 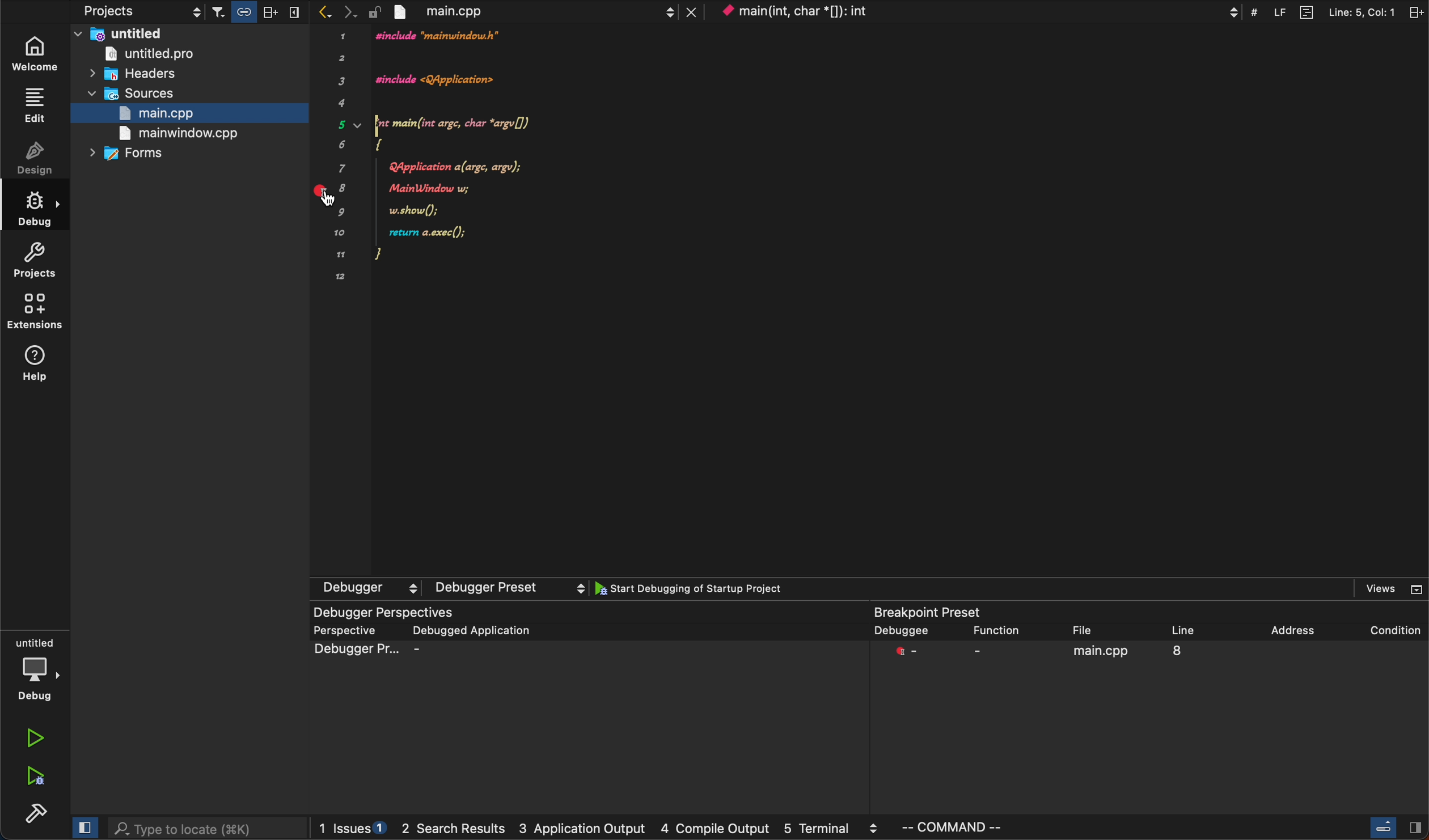 What do you see at coordinates (145, 155) in the screenshot?
I see `forms` at bounding box center [145, 155].